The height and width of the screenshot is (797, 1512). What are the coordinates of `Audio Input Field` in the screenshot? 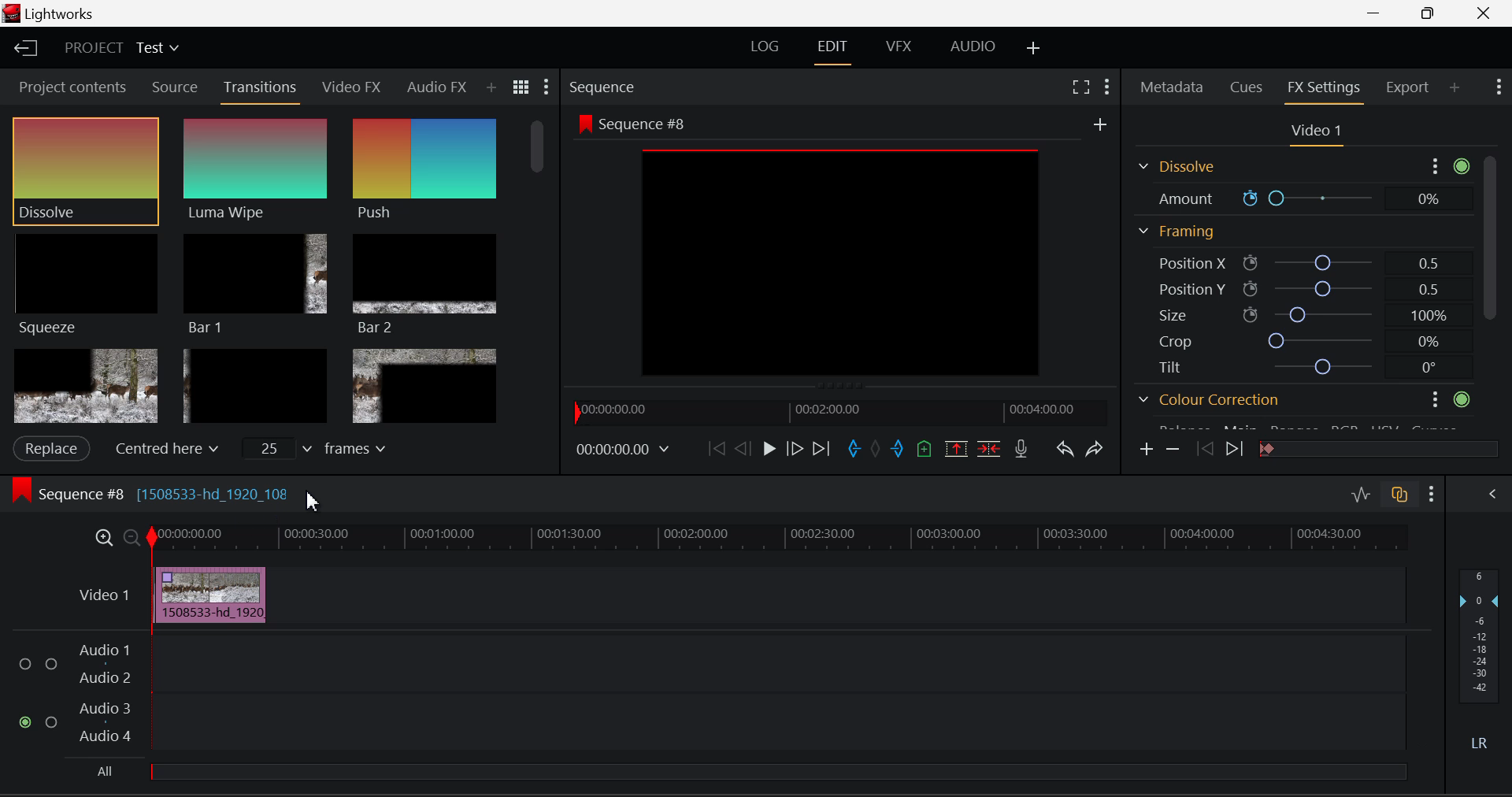 It's located at (776, 662).